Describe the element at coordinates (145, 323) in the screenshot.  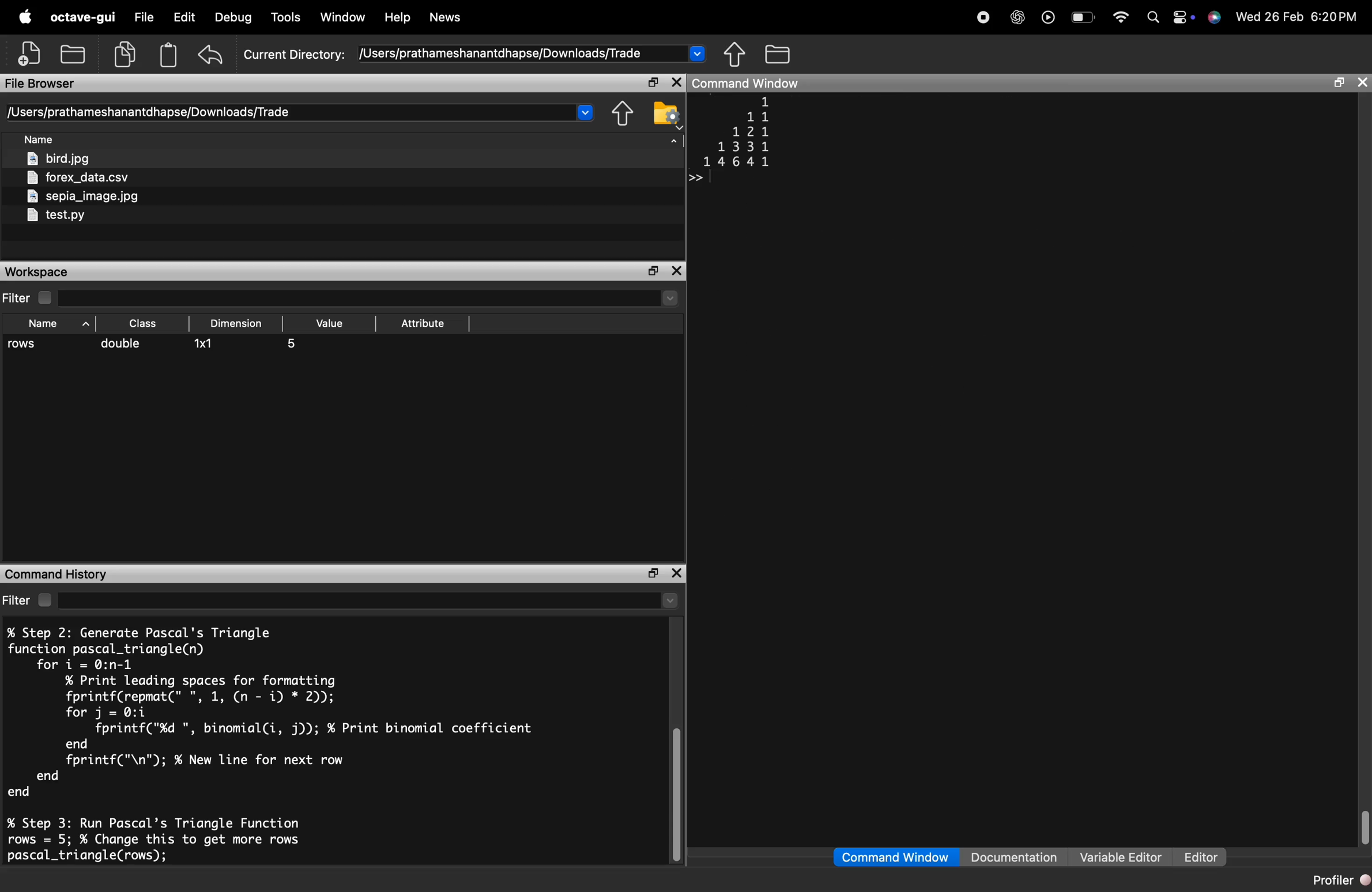
I see `Class` at that location.